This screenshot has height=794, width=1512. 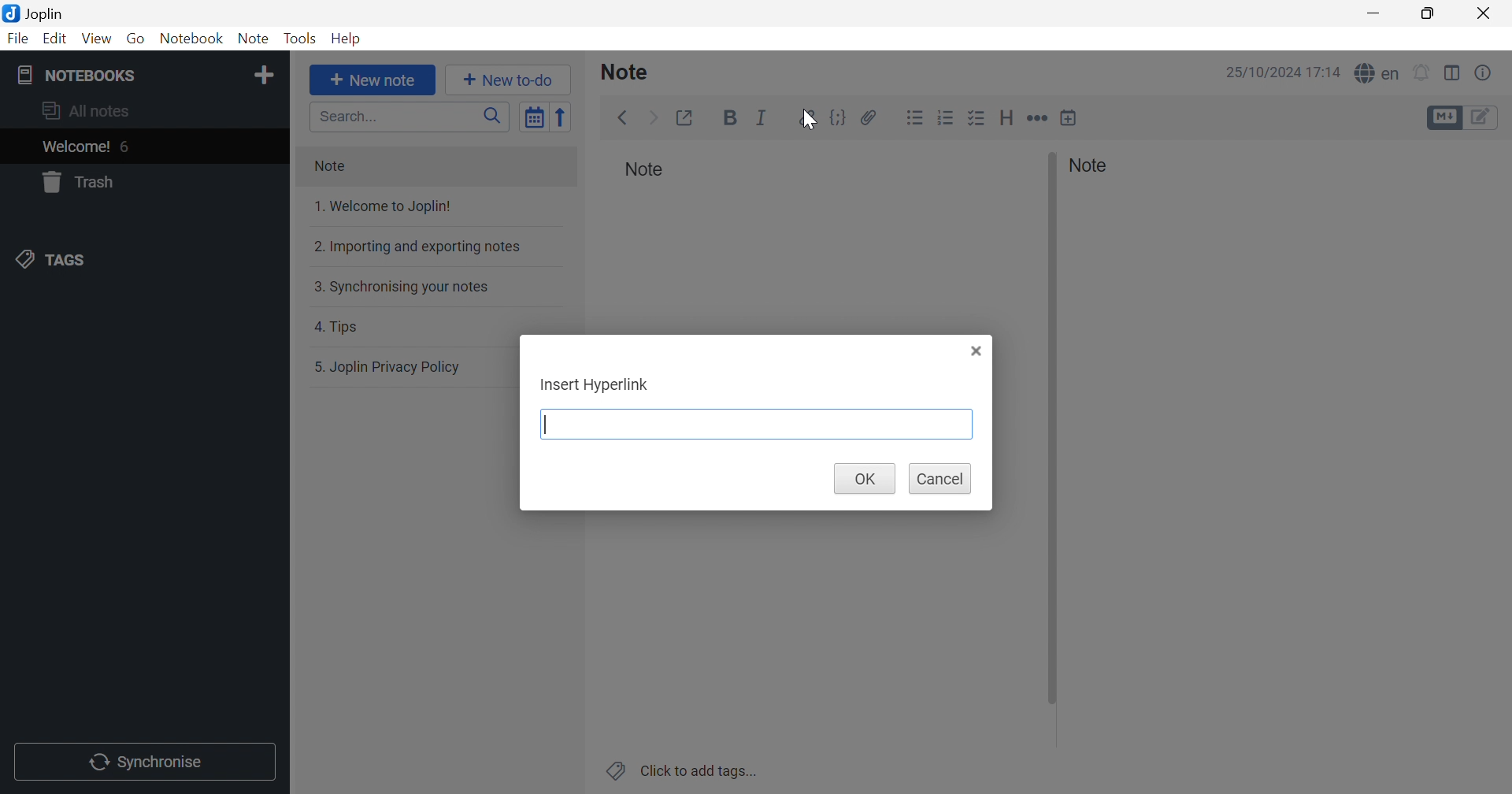 I want to click on 17:14, so click(x=1326, y=73).